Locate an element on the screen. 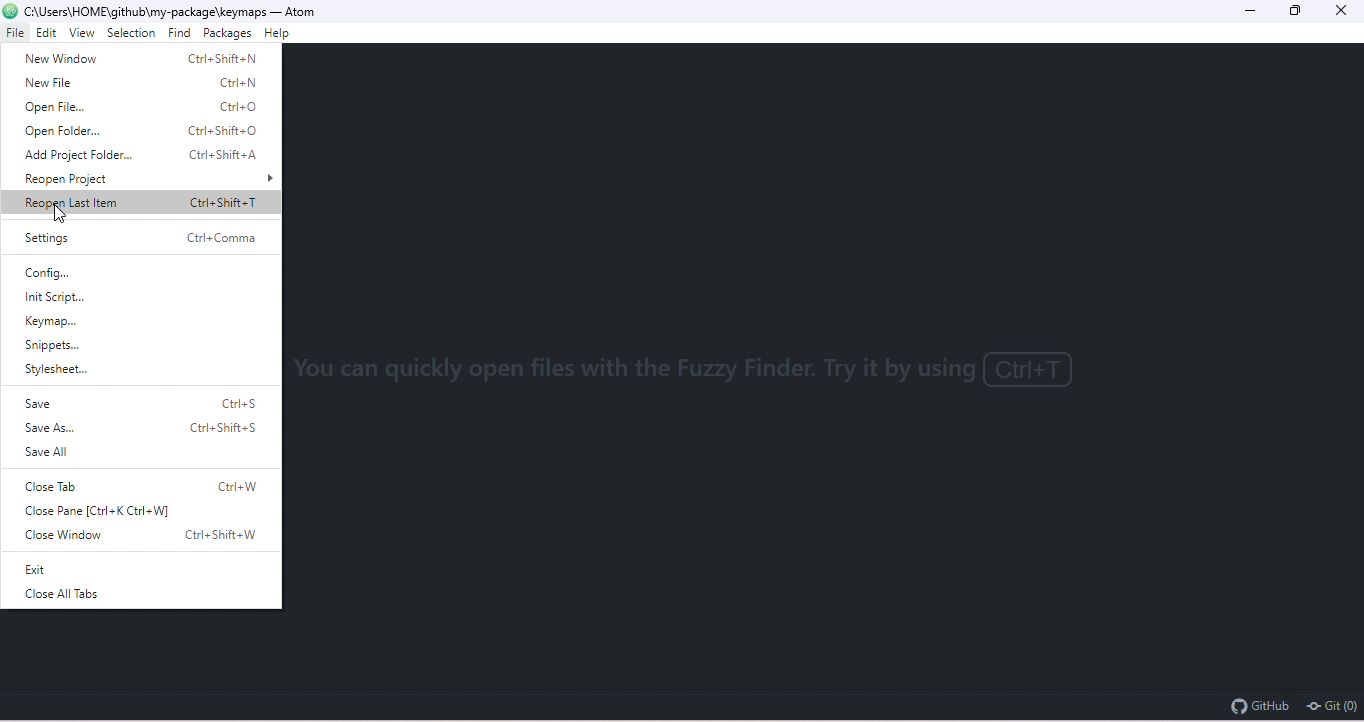  exit is located at coordinates (120, 569).